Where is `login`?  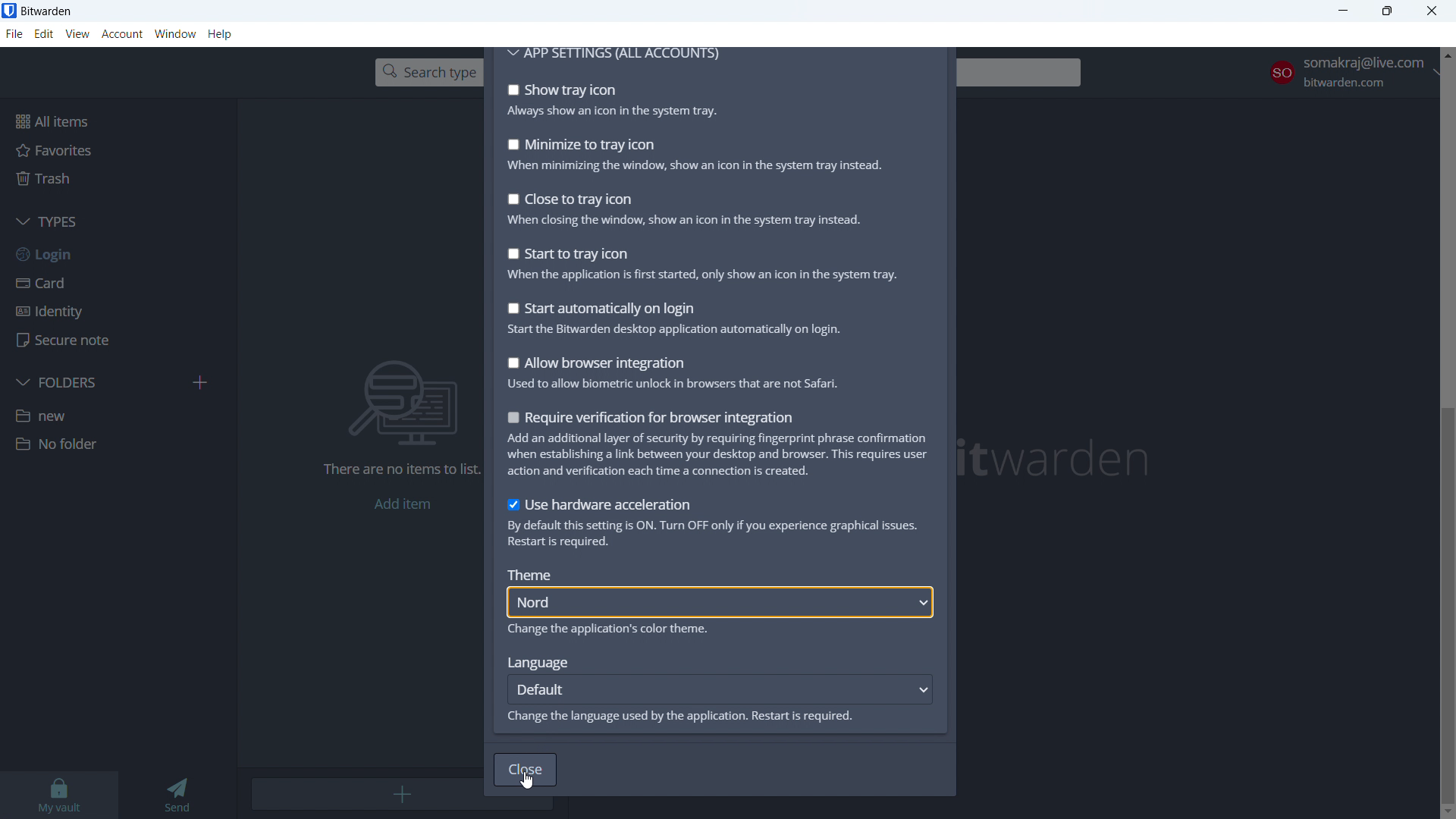
login is located at coordinates (118, 254).